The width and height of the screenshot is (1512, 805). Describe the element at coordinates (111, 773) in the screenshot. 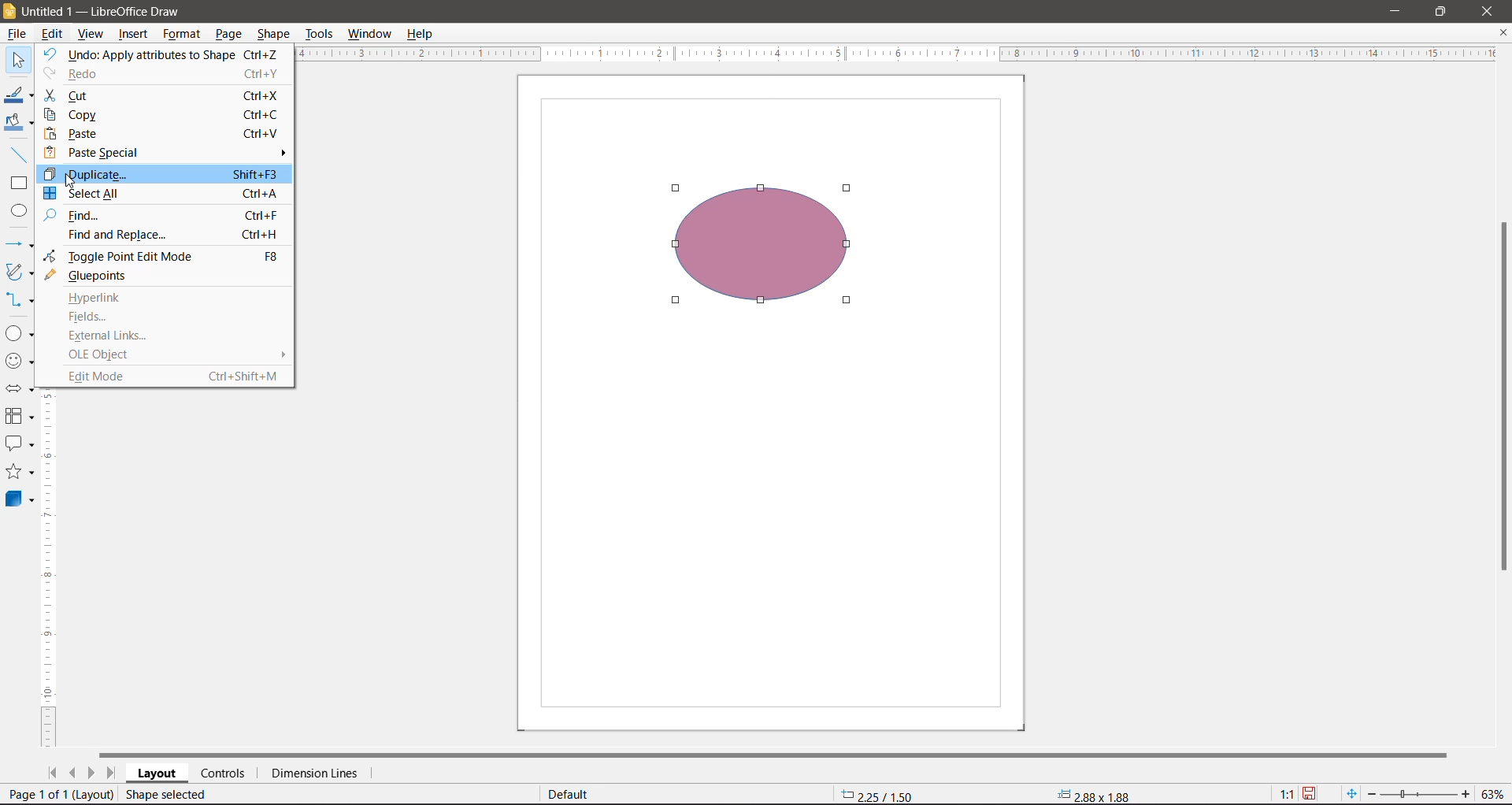

I see `Scroll to last page` at that location.